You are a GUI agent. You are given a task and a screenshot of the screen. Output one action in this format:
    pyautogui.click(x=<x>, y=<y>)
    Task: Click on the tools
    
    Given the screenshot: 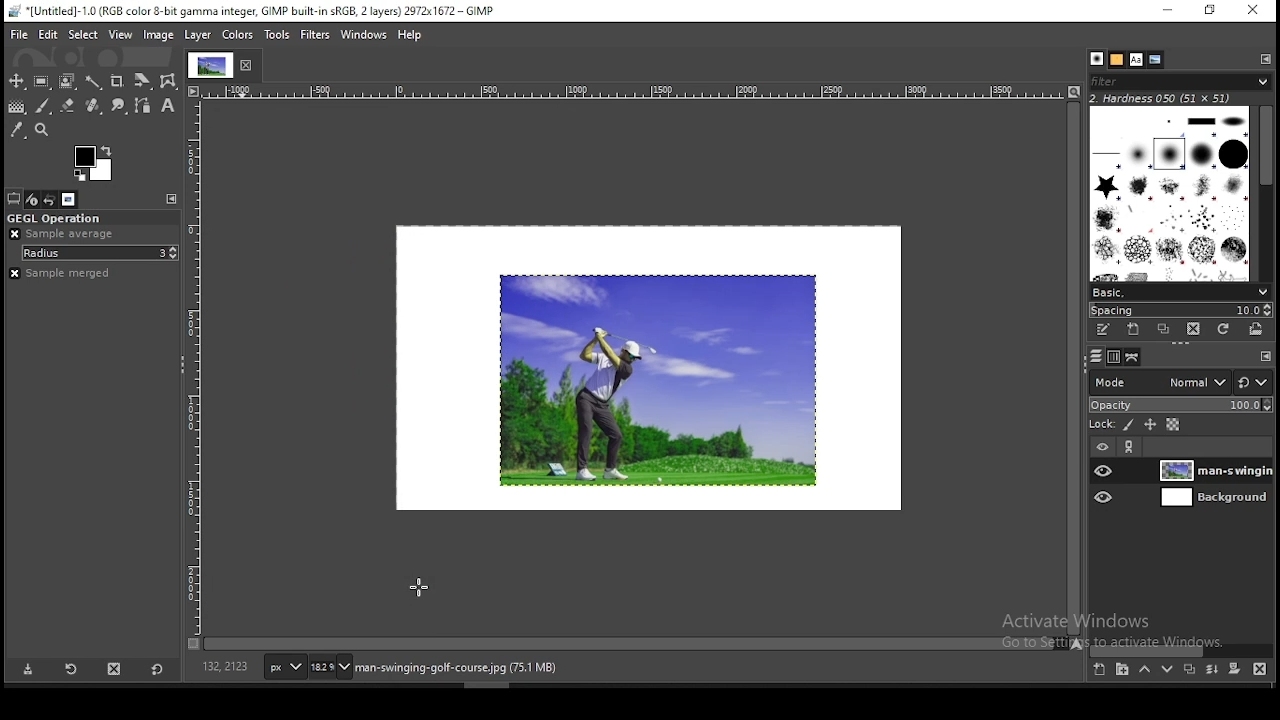 What is the action you would take?
    pyautogui.click(x=276, y=35)
    